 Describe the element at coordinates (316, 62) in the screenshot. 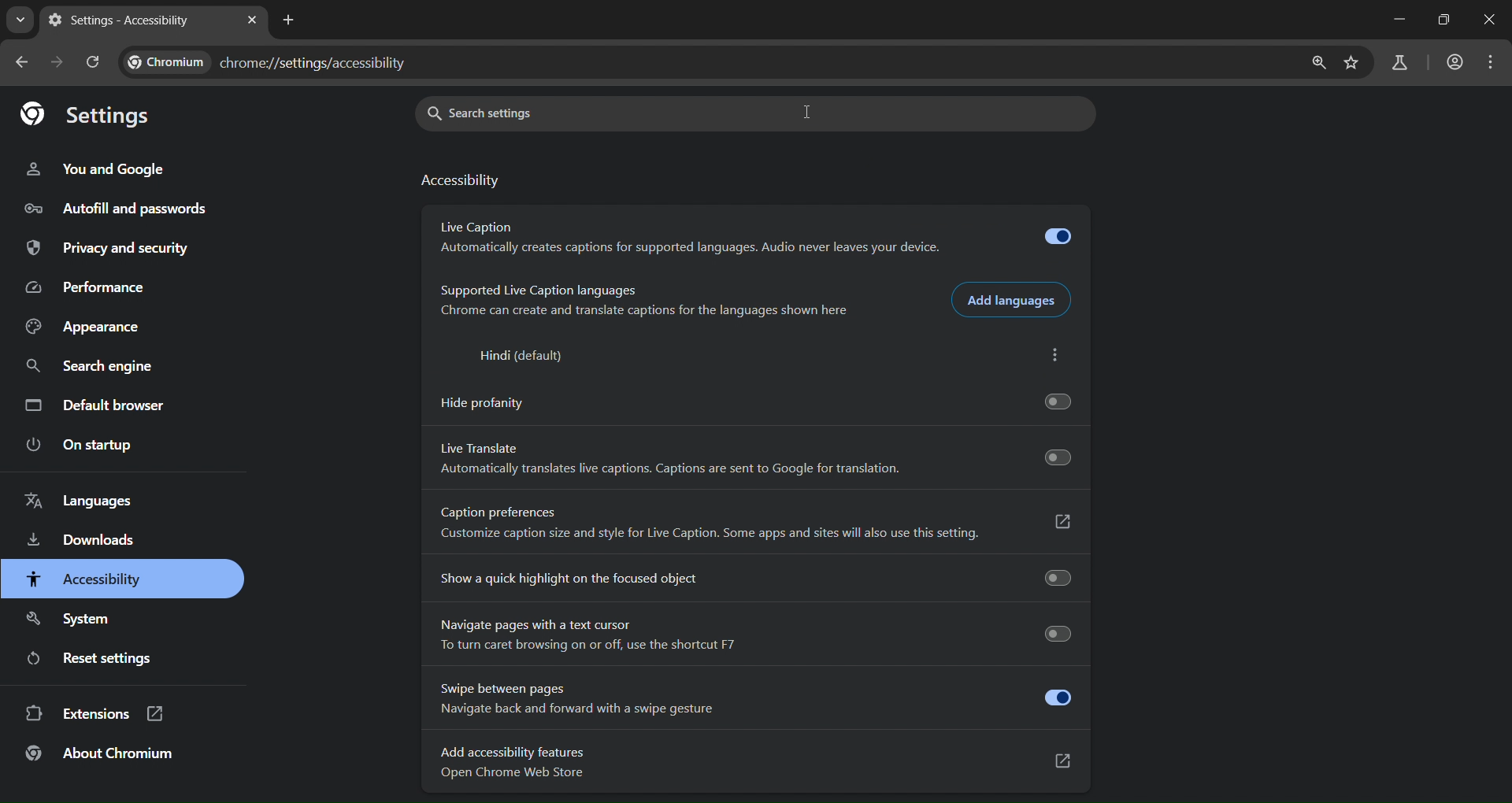

I see `chrome://settings/accessibility` at that location.